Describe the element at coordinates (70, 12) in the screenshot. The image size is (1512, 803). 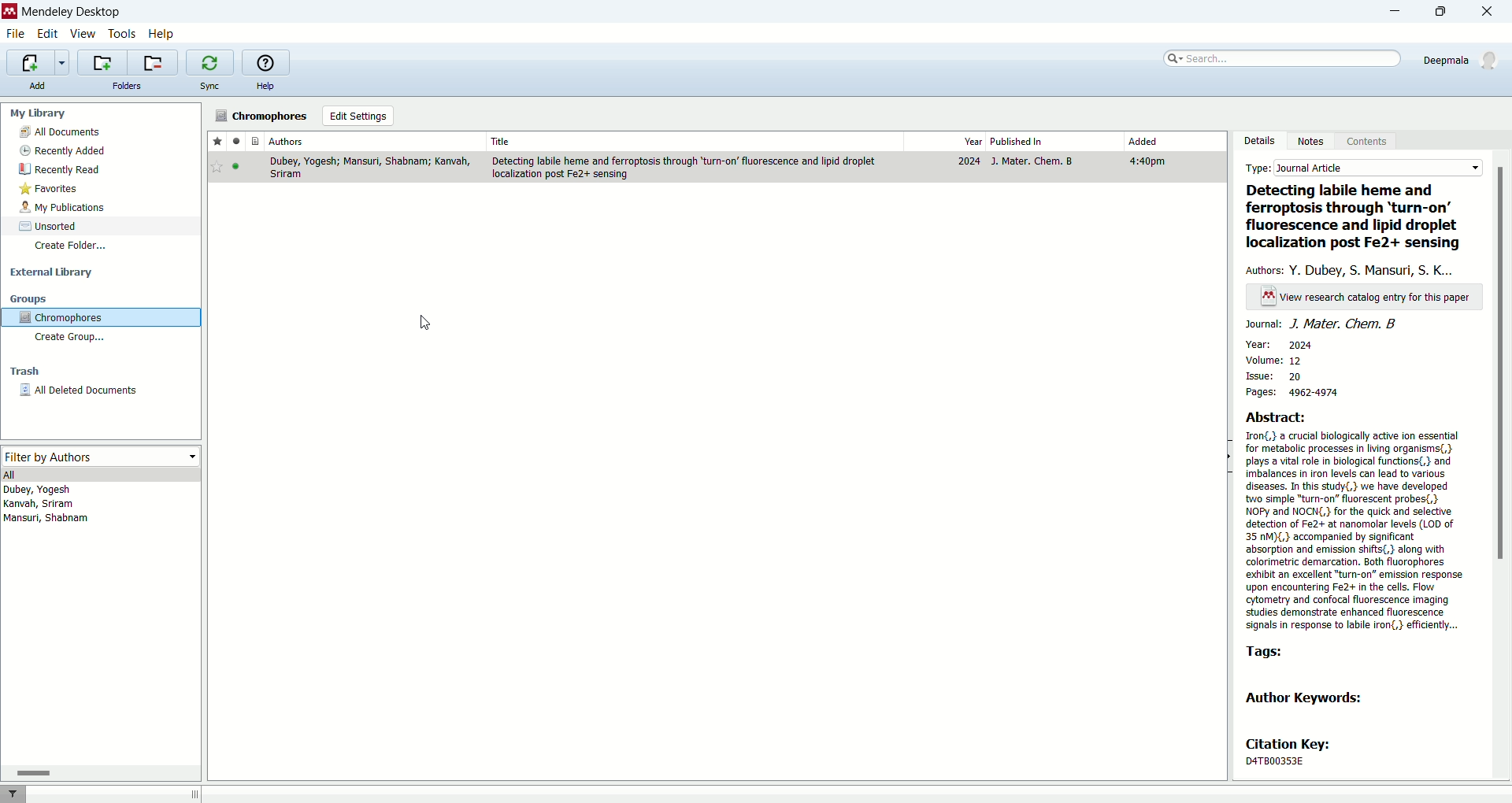
I see `mendeley desktop` at that location.